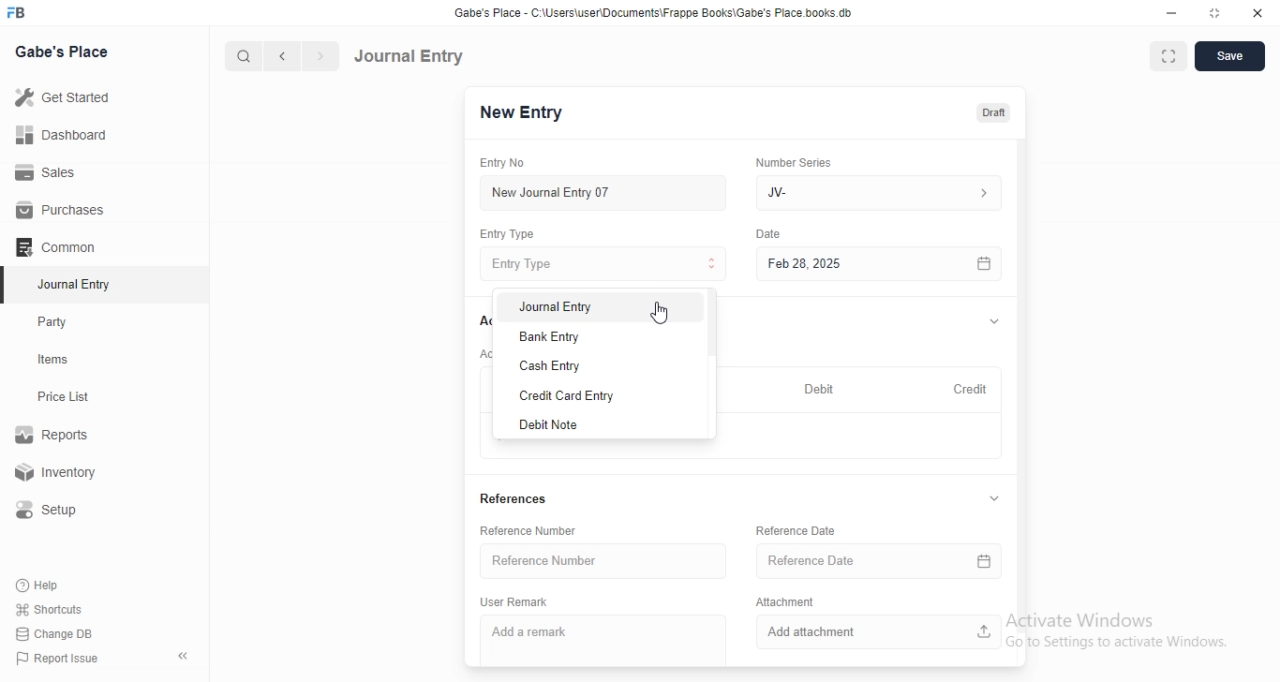 The width and height of the screenshot is (1280, 682). What do you see at coordinates (969, 387) in the screenshot?
I see `Credit` at bounding box center [969, 387].